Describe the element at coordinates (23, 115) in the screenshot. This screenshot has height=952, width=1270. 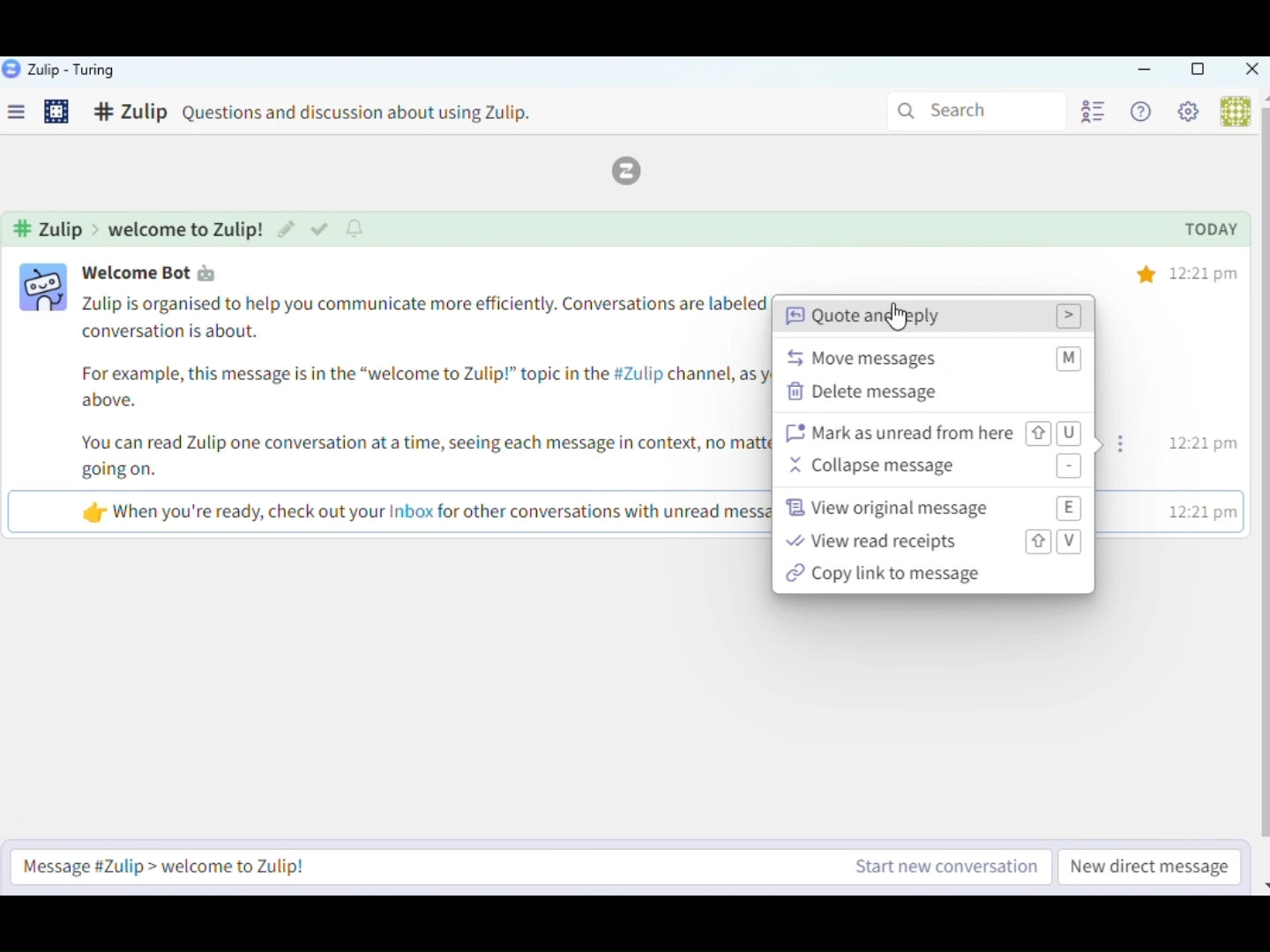
I see `Menu` at that location.